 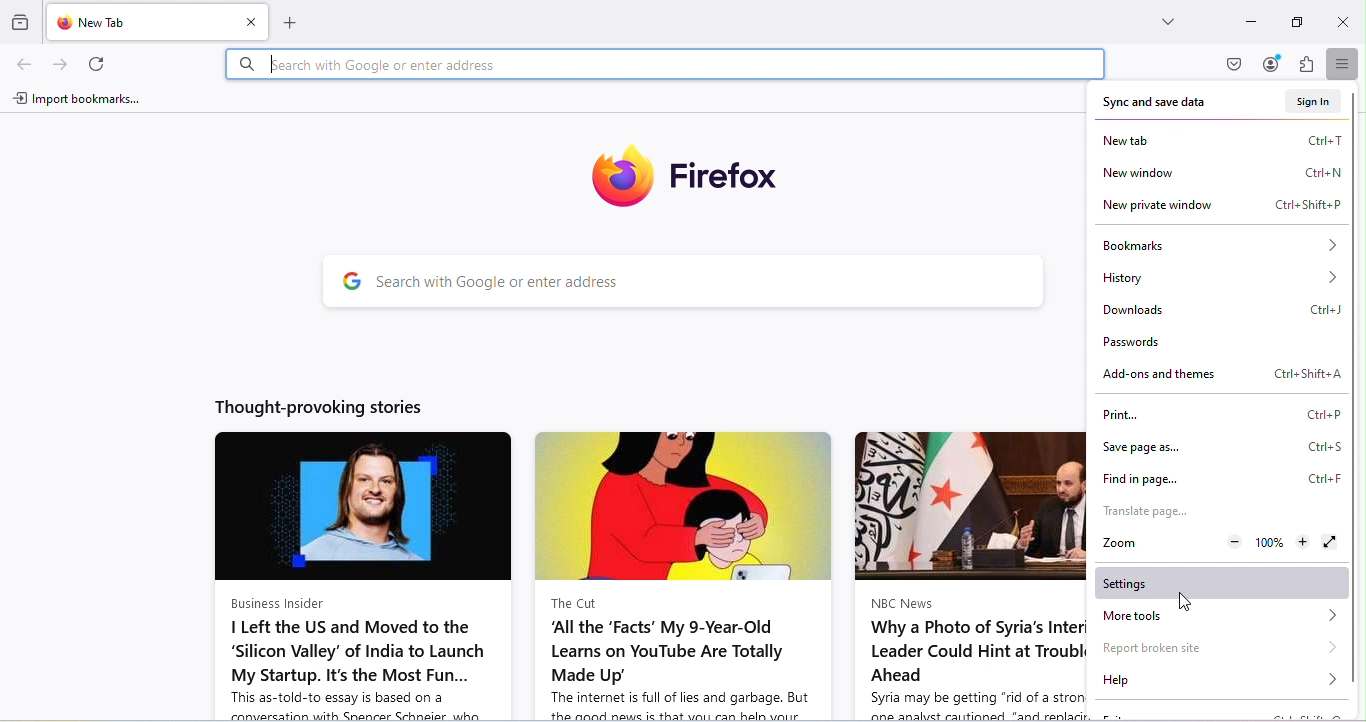 I want to click on Firefox icon, so click(x=669, y=170).